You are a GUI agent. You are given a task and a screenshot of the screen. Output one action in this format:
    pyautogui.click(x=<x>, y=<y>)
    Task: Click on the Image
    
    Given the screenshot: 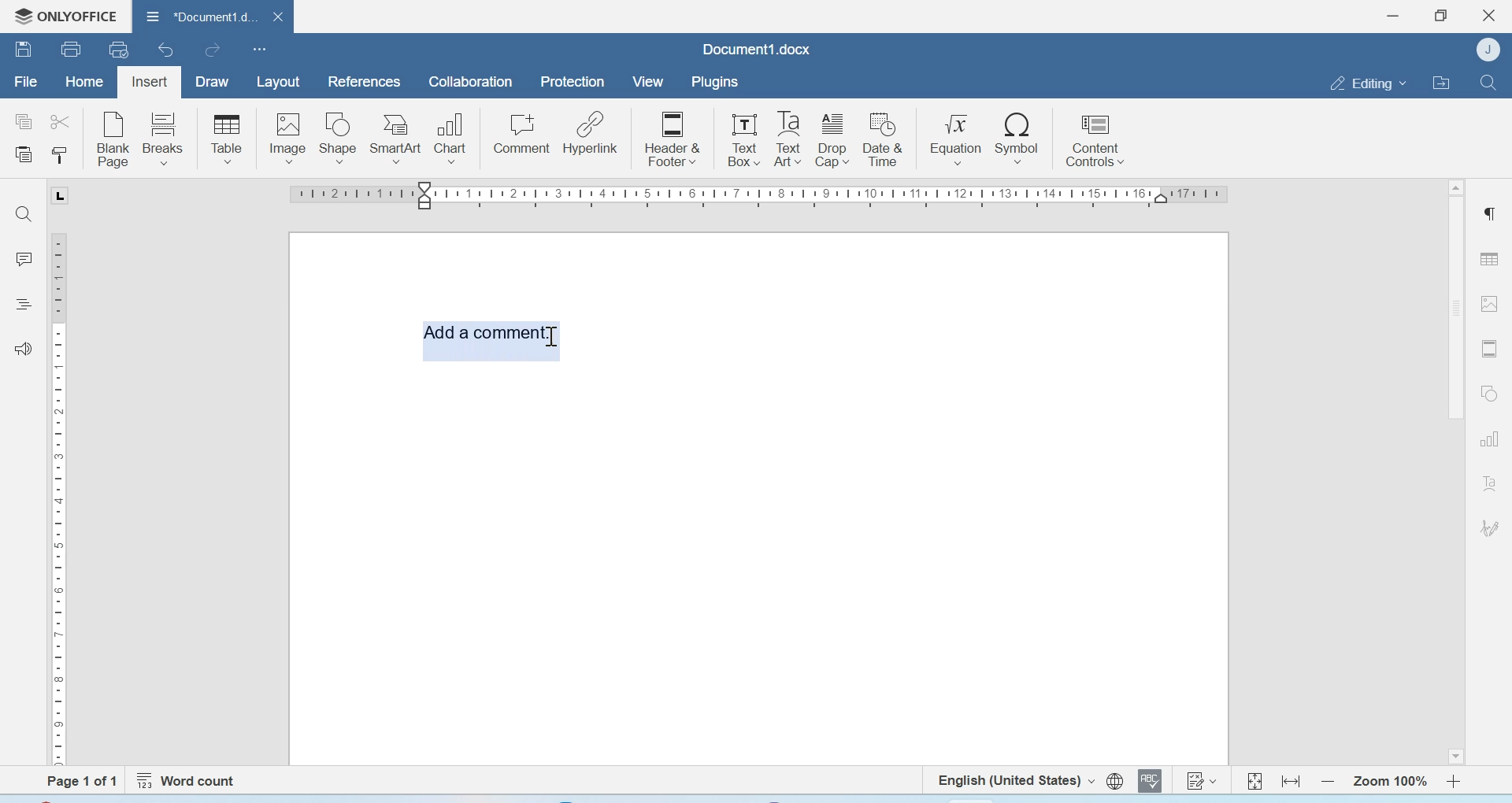 What is the action you would take?
    pyautogui.click(x=1490, y=302)
    